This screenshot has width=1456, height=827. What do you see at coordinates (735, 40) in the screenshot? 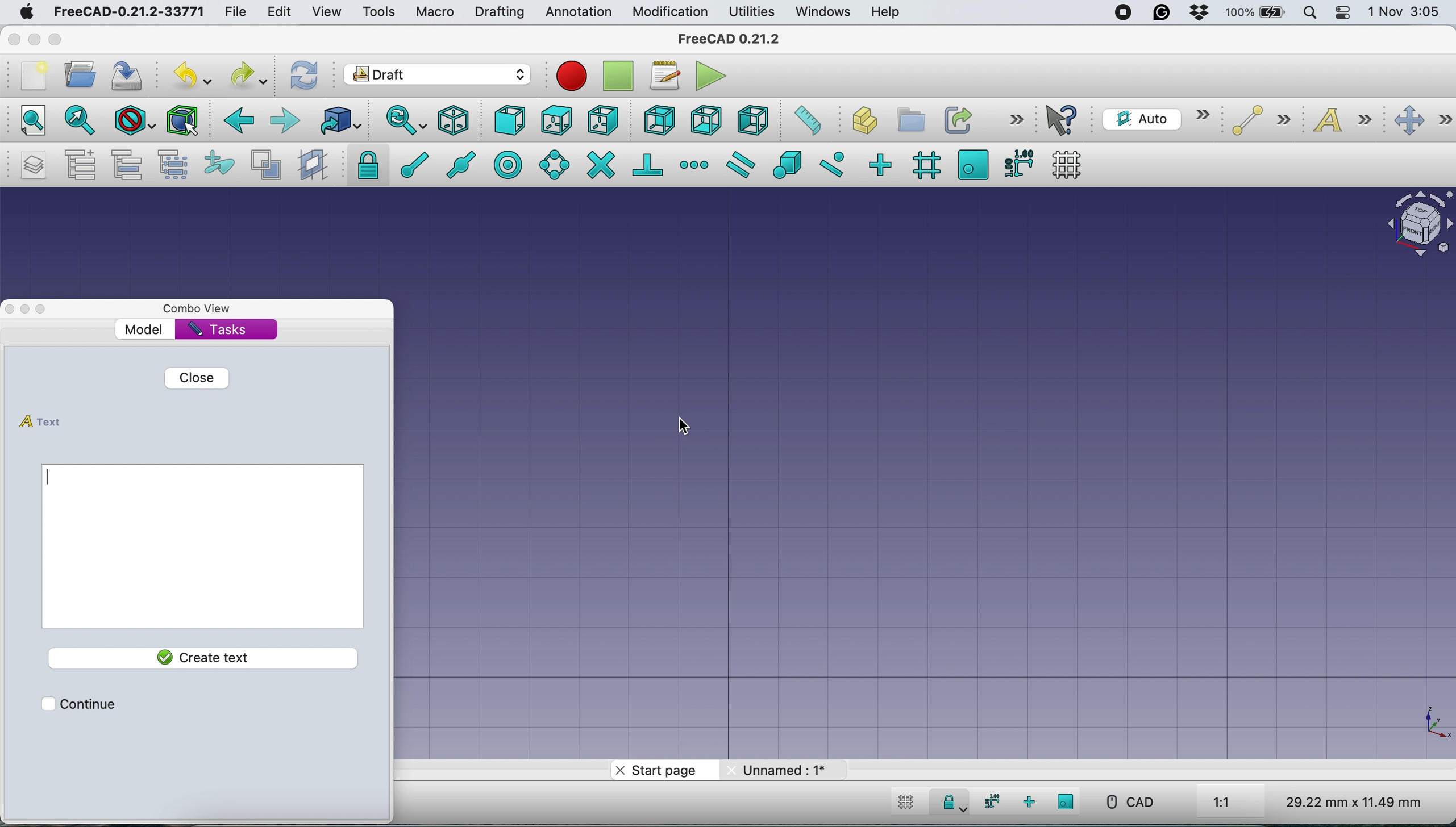
I see `freecad` at bounding box center [735, 40].